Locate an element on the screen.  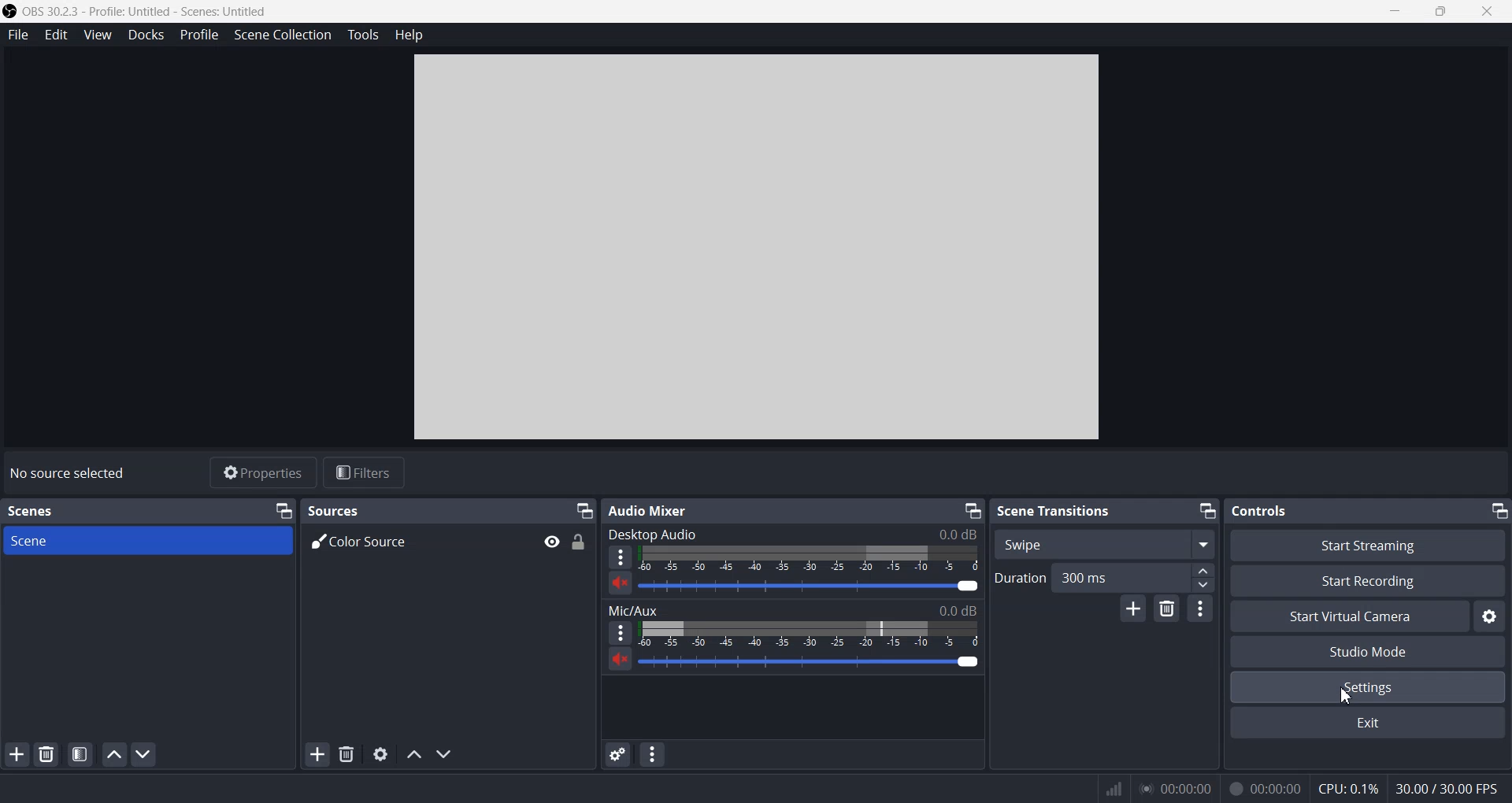
Start Virtual Camera is located at coordinates (1348, 616).